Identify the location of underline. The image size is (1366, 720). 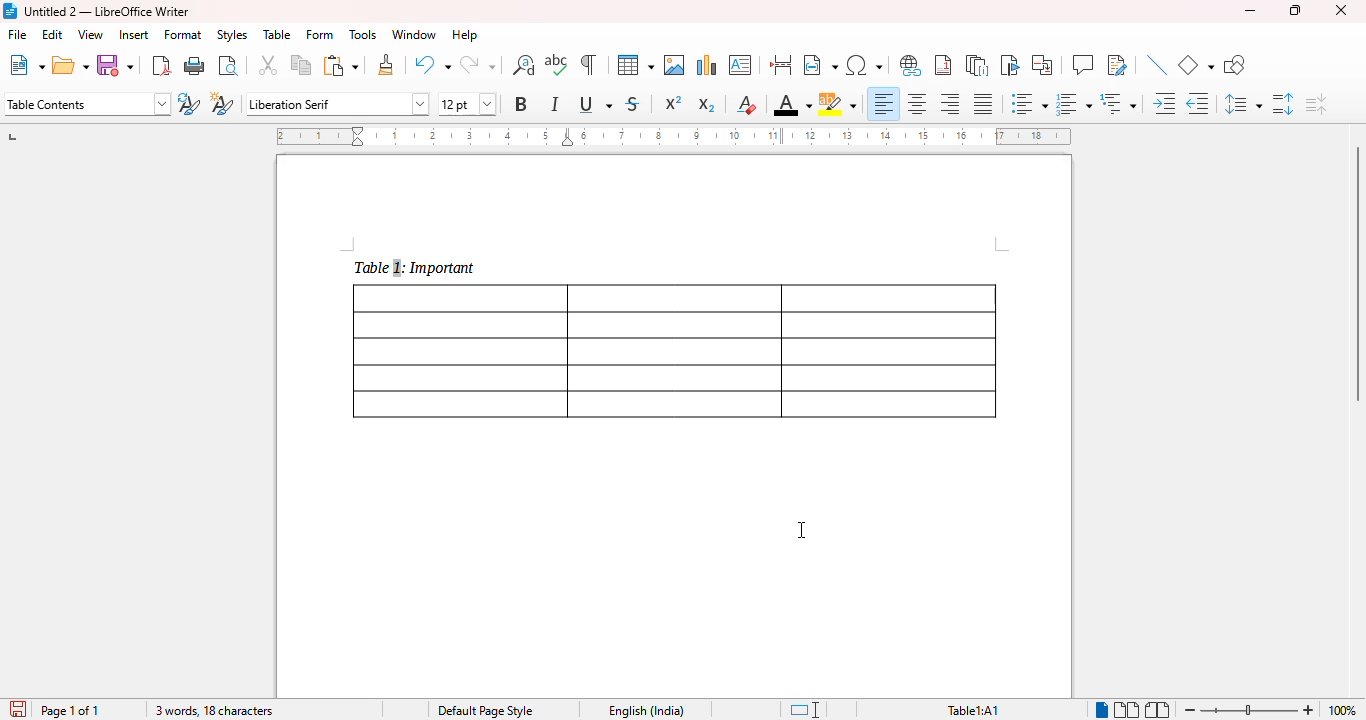
(595, 103).